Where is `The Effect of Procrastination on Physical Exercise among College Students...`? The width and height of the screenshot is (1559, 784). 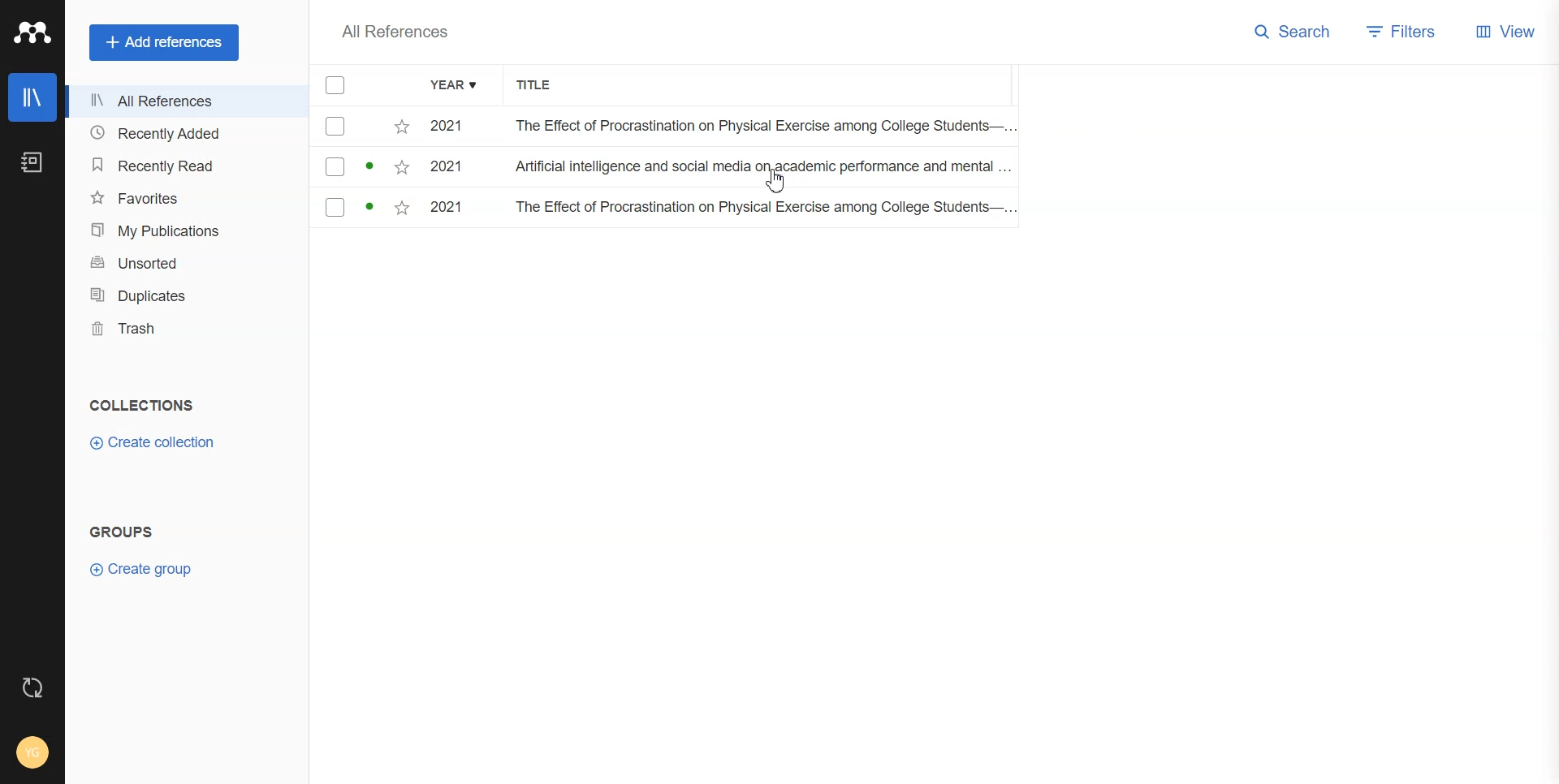
The Effect of Procrastination on Physical Exercise among College Students... is located at coordinates (758, 127).